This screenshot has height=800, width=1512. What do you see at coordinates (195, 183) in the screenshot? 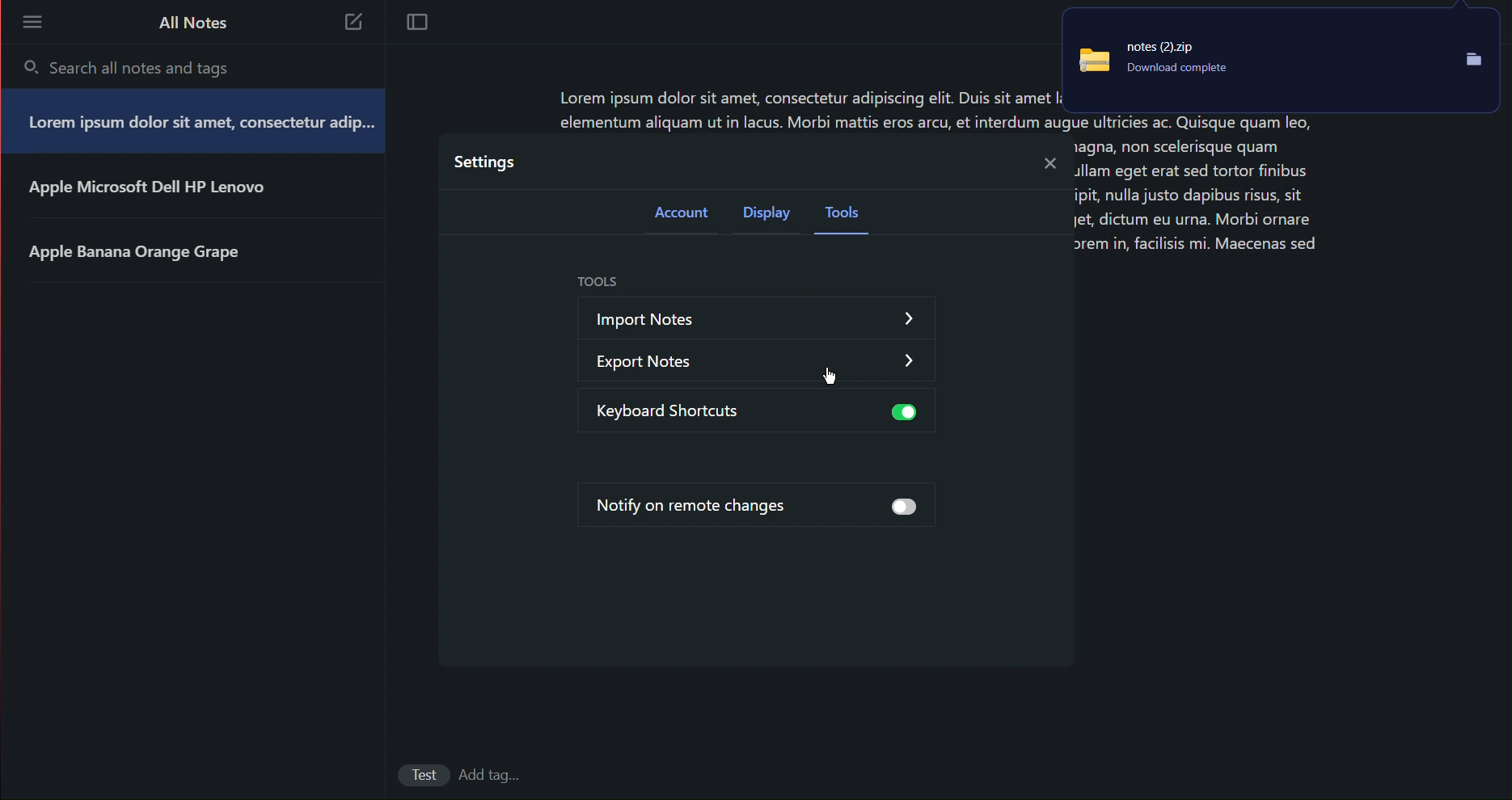
I see `Note 2 ` at bounding box center [195, 183].